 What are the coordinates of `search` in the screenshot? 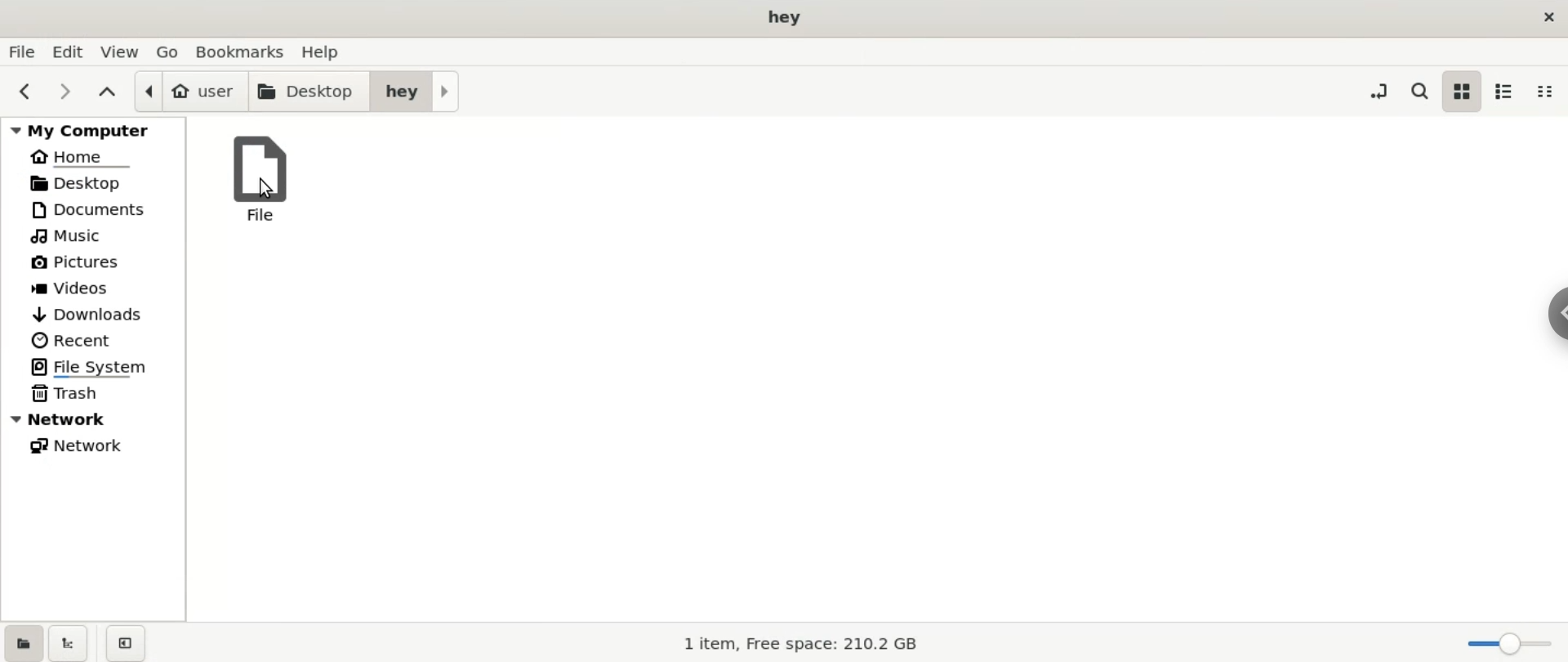 It's located at (1417, 95).